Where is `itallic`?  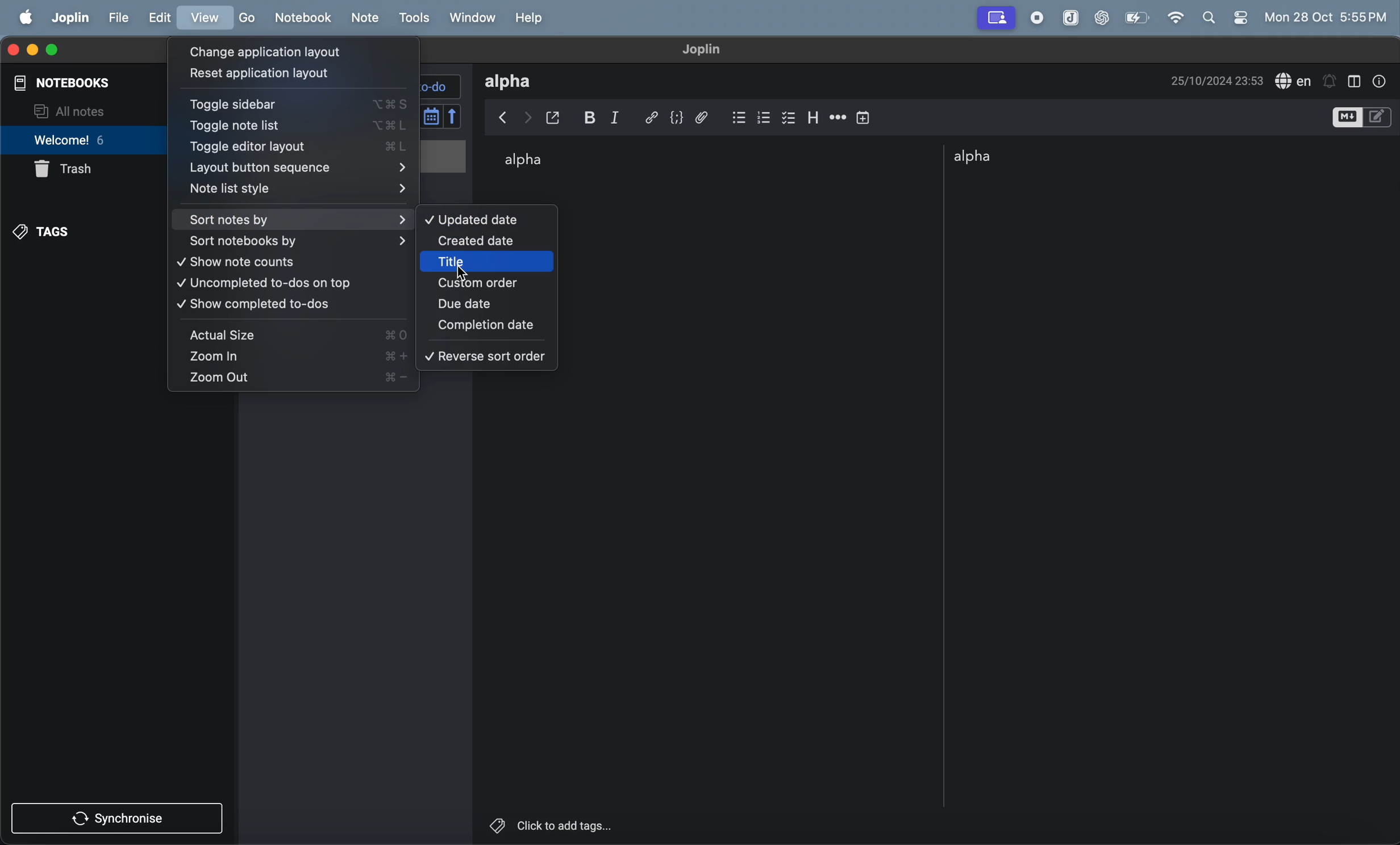
itallic is located at coordinates (624, 117).